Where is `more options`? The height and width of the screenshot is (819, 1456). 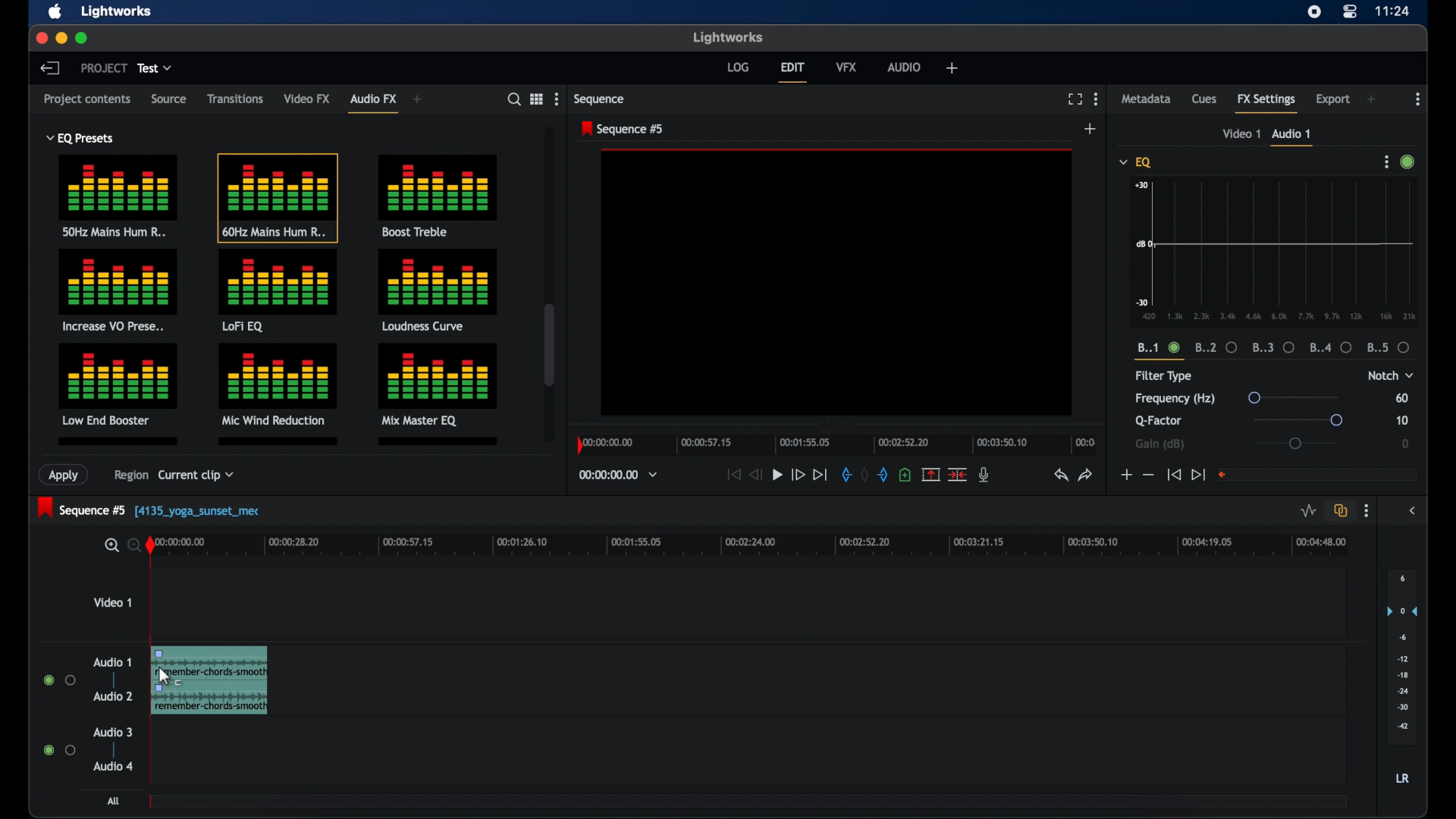 more options is located at coordinates (1386, 162).